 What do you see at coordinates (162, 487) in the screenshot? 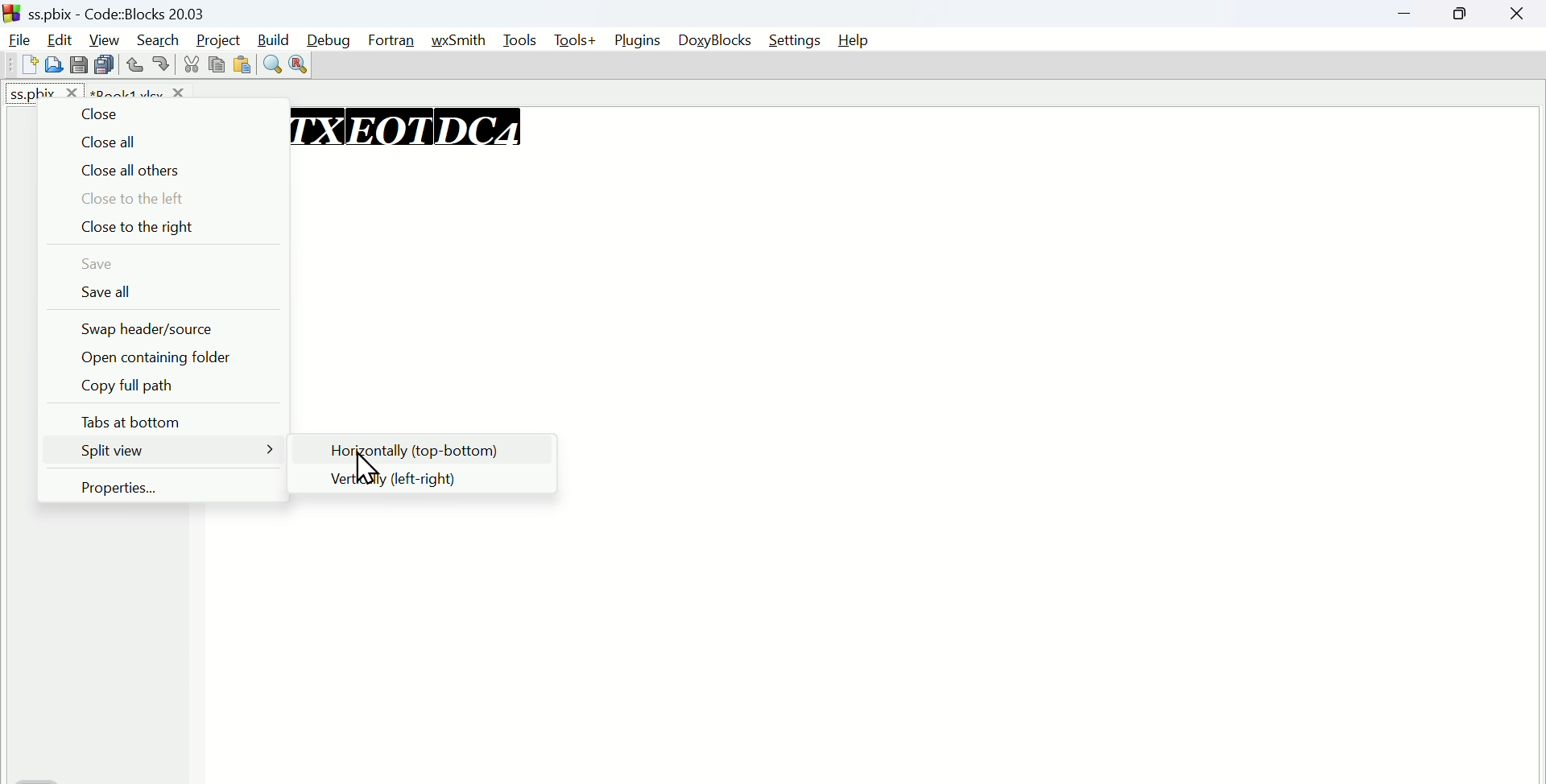
I see `Properties` at bounding box center [162, 487].